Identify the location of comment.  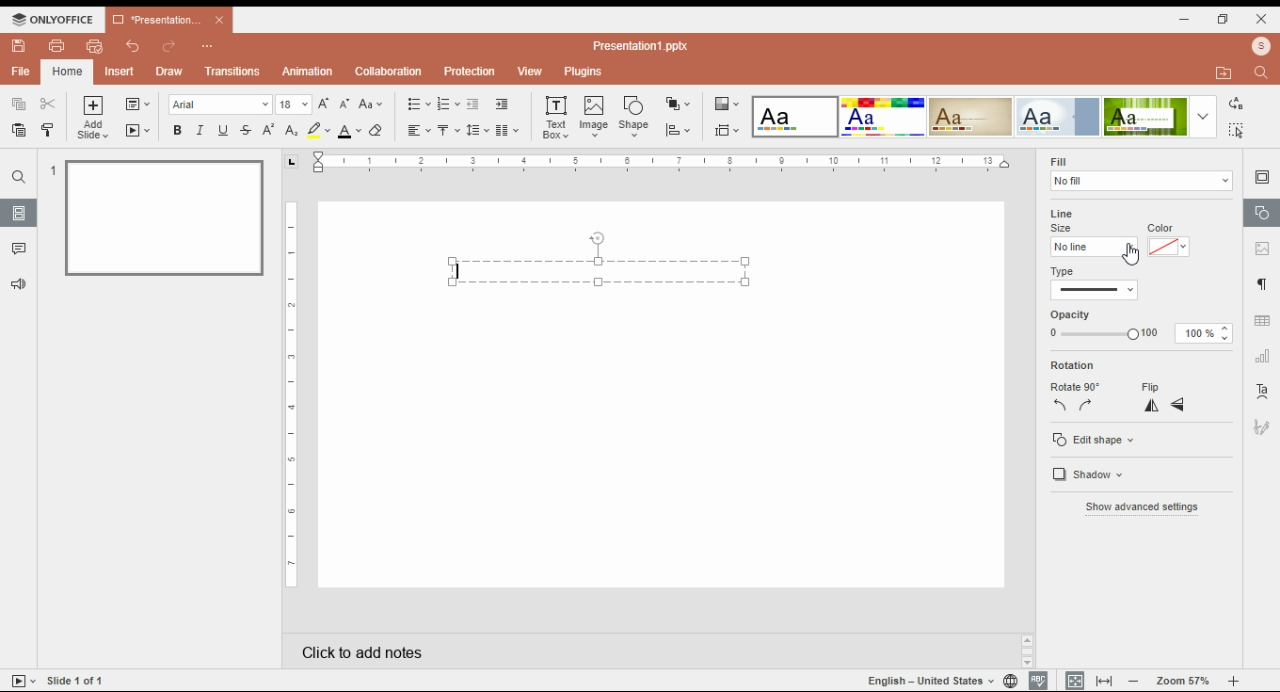
(21, 250).